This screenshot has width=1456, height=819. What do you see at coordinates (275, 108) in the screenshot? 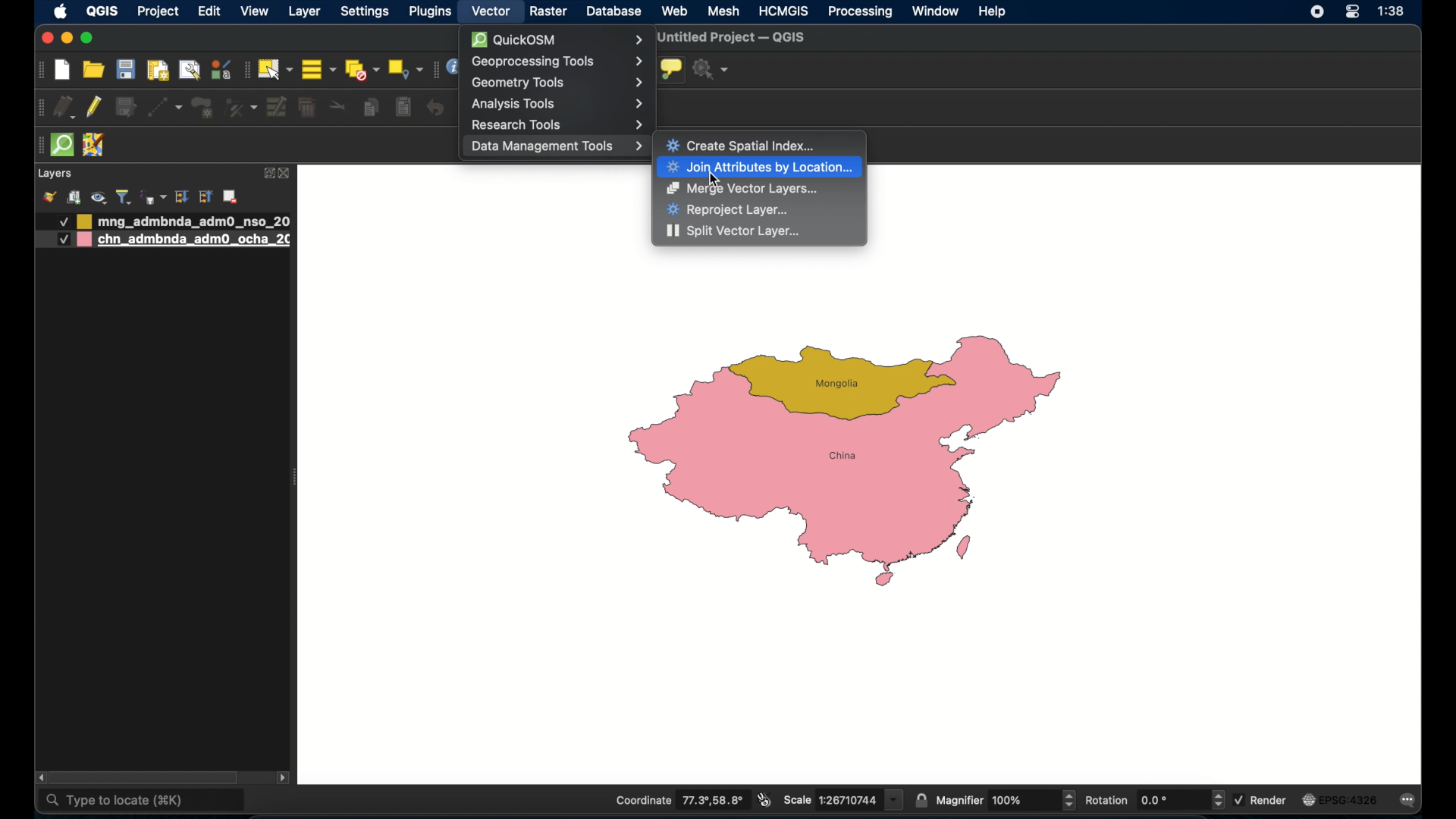
I see `modify attributes` at bounding box center [275, 108].